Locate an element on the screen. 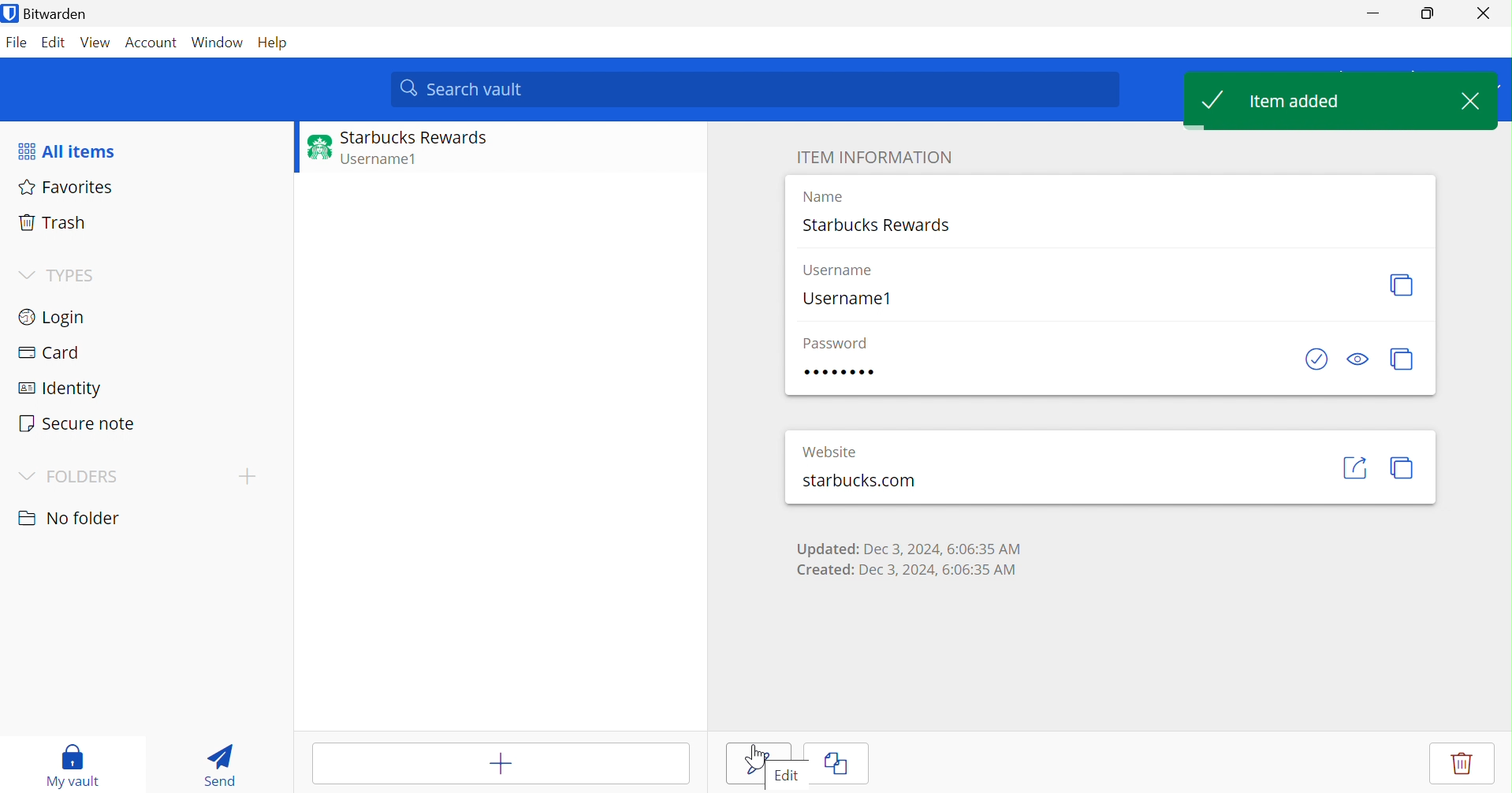  Delete is located at coordinates (1463, 764).